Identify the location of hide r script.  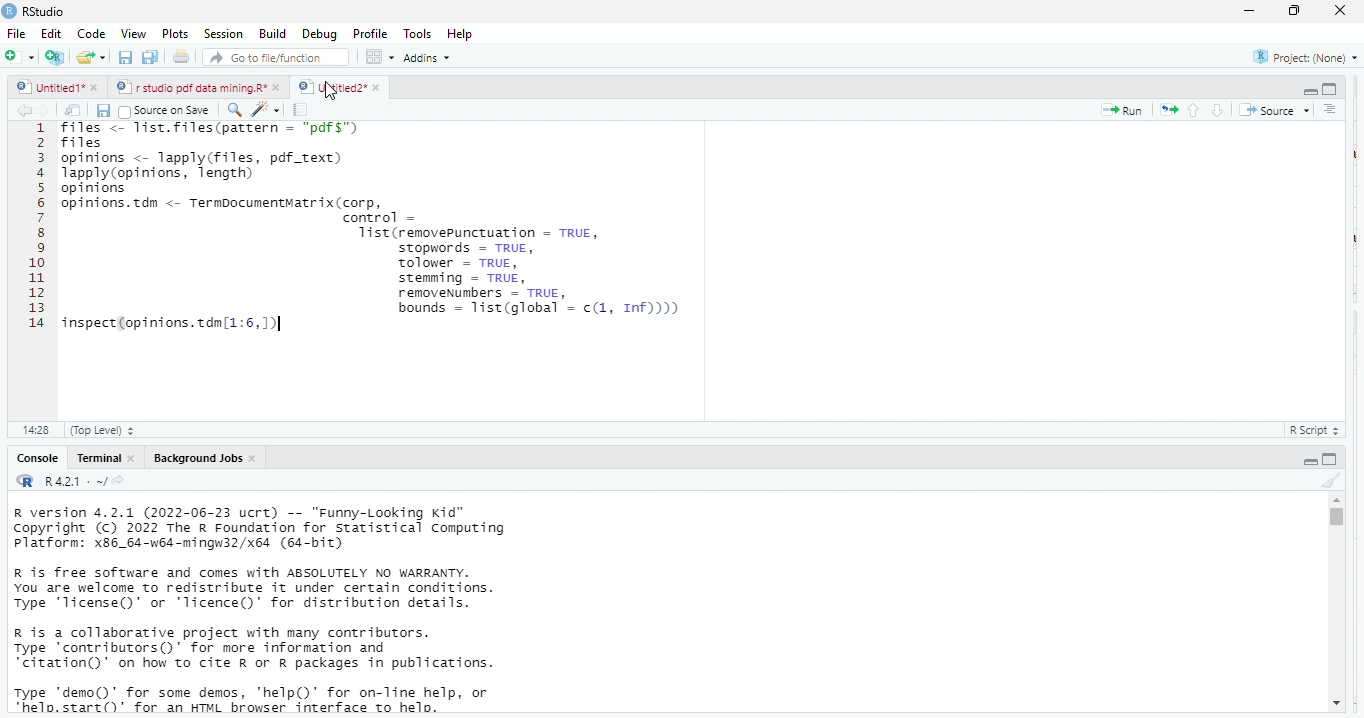
(1311, 460).